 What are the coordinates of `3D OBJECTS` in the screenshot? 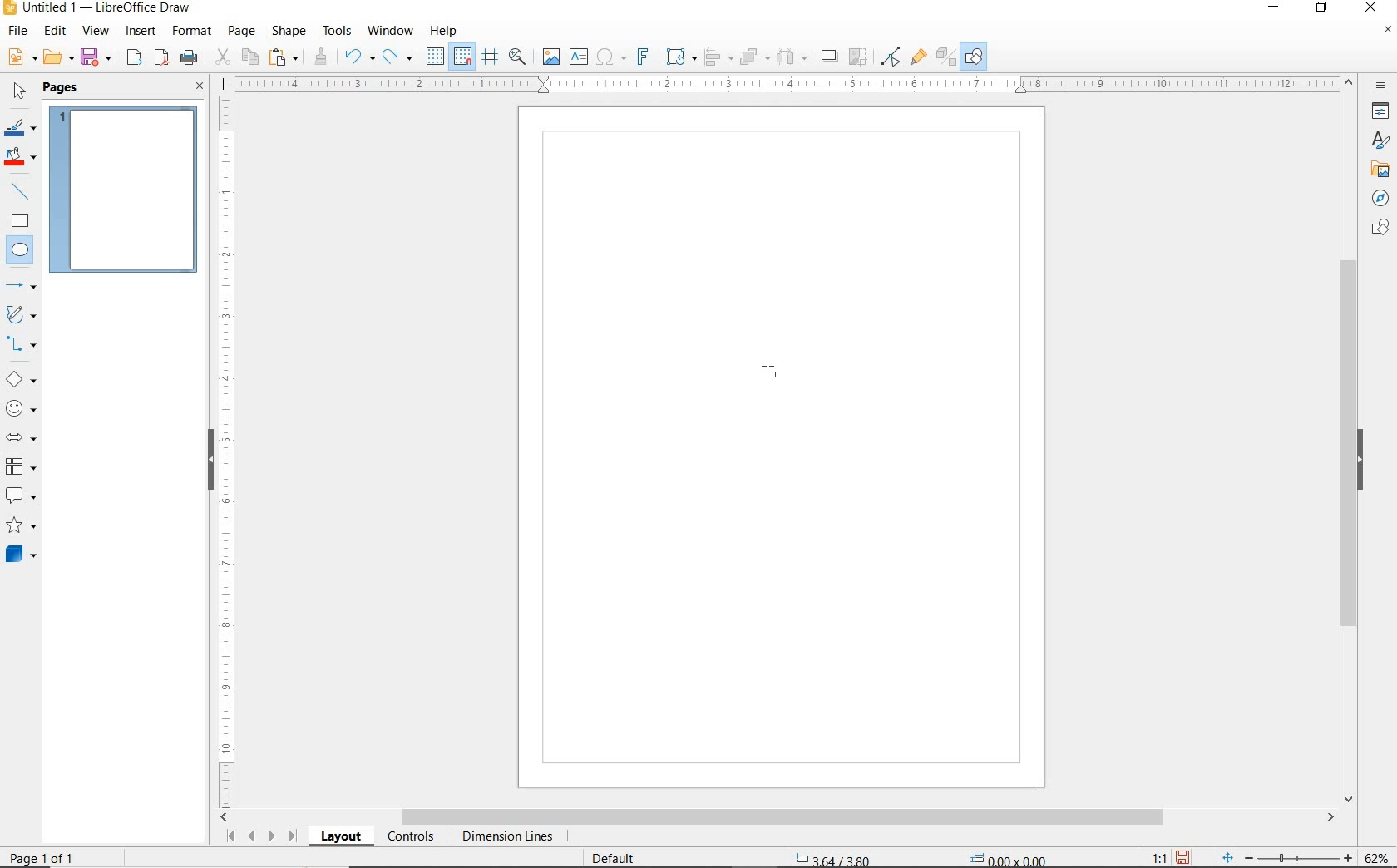 It's located at (19, 556).